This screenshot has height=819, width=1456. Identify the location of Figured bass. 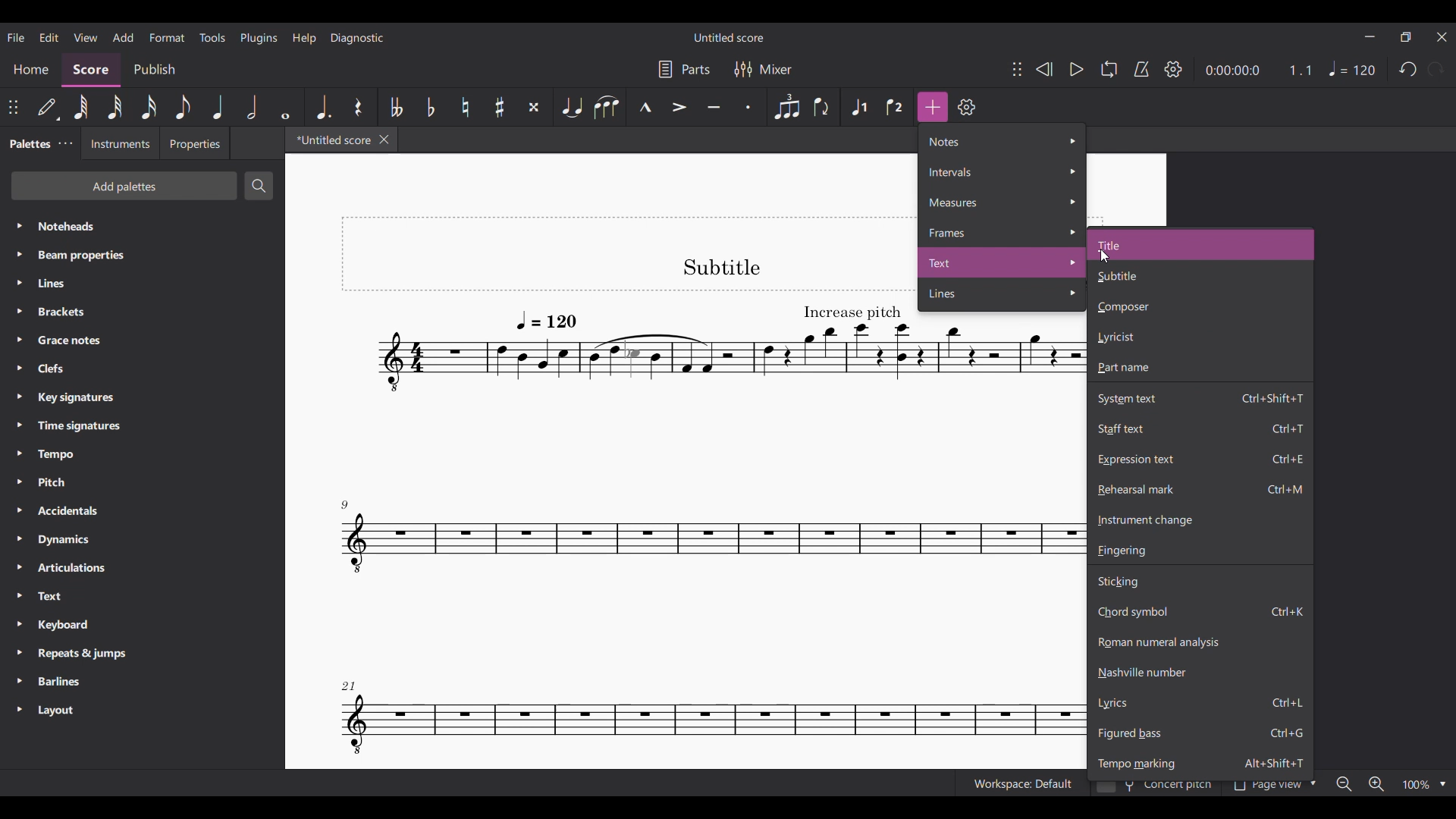
(1200, 733).